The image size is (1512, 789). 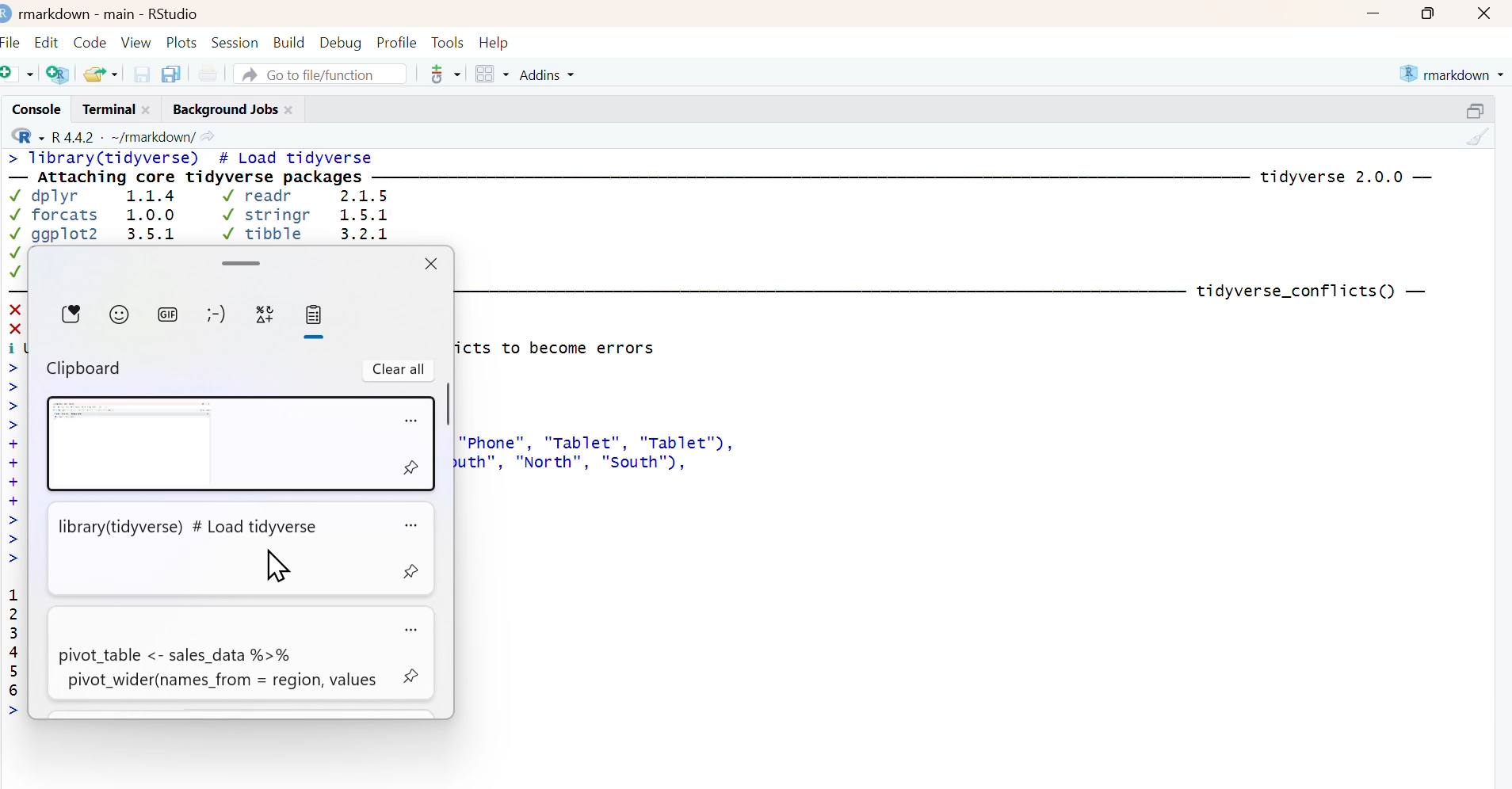 I want to click on pin, so click(x=413, y=470).